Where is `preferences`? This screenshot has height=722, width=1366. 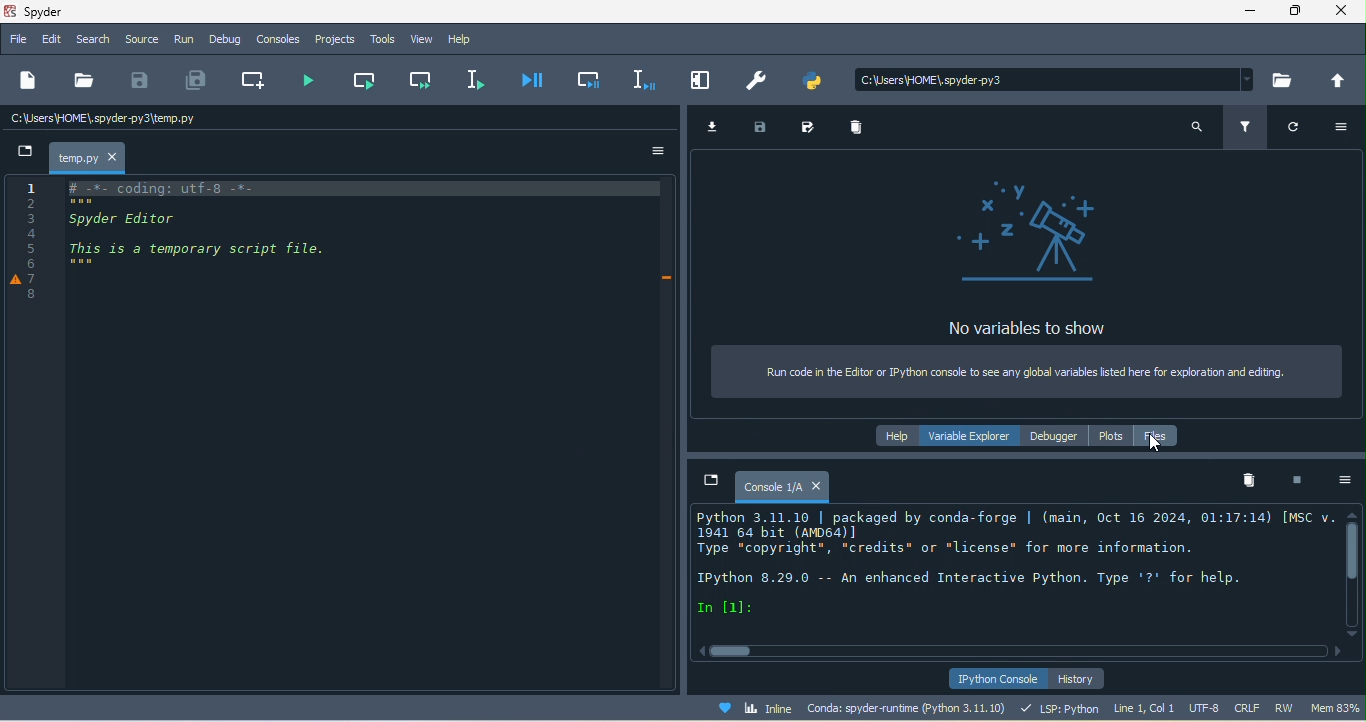 preferences is located at coordinates (759, 80).